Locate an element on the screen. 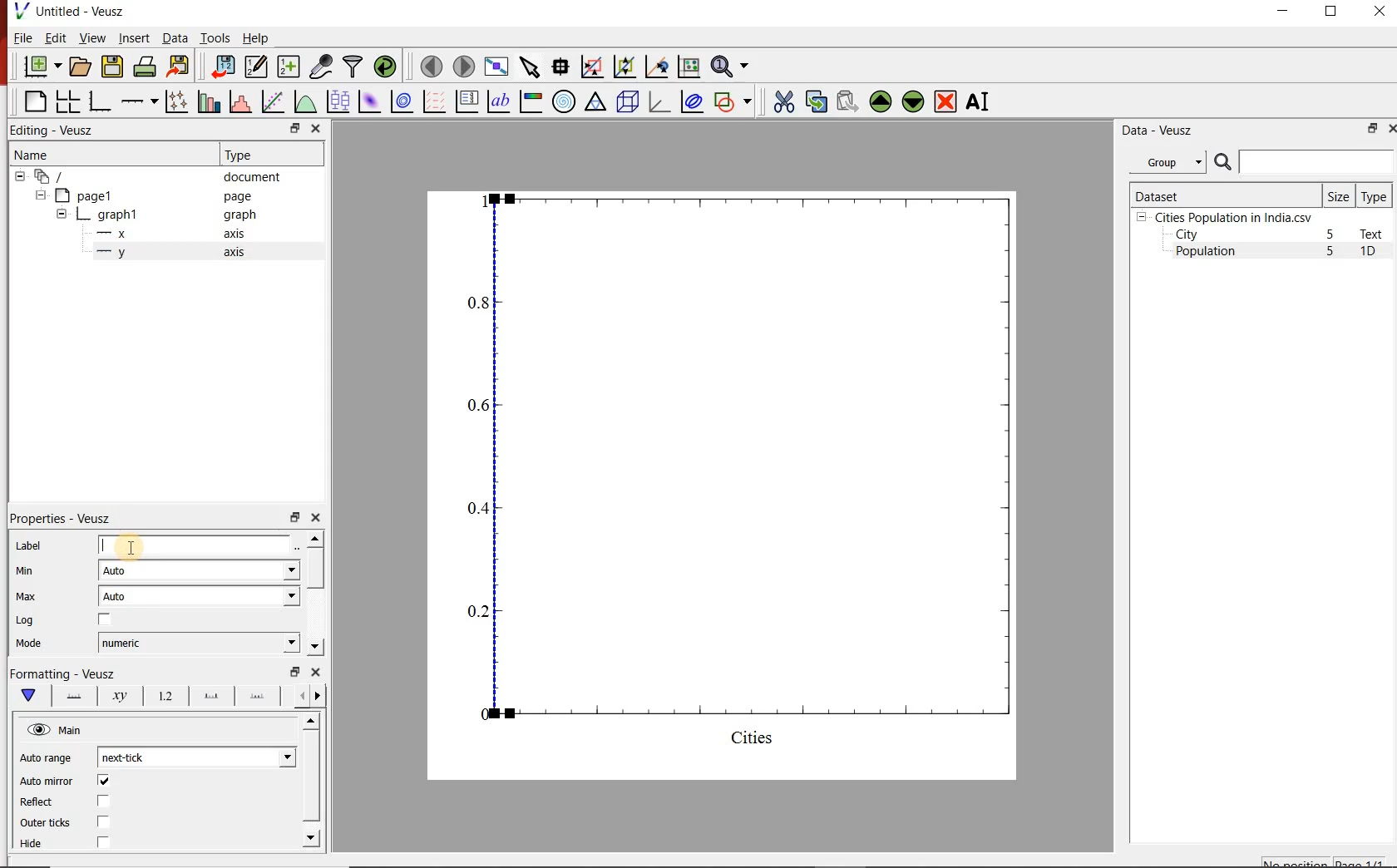 This screenshot has width=1397, height=868. renames the selected widget is located at coordinates (979, 101).